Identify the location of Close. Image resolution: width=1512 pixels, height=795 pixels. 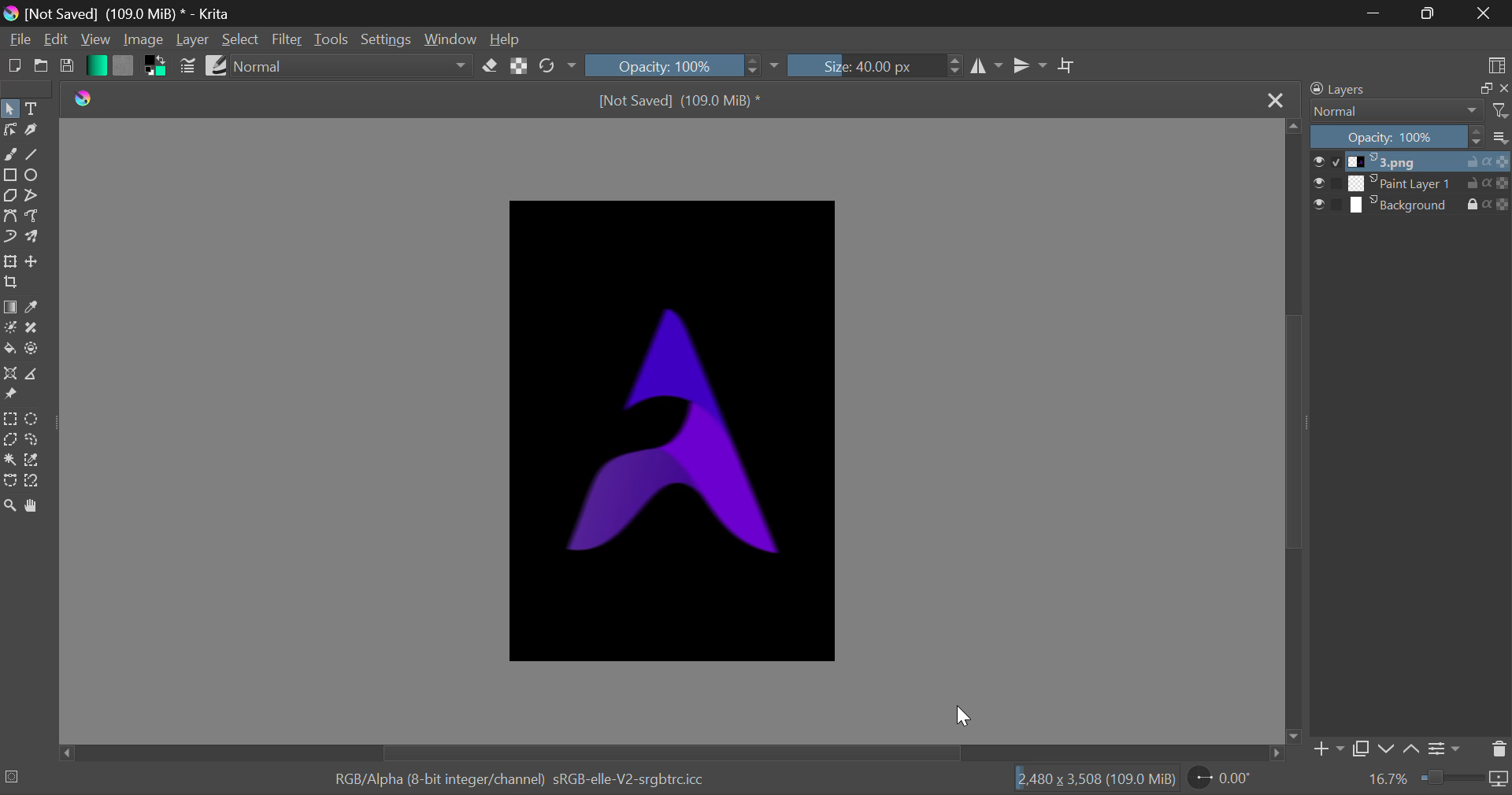
(1484, 14).